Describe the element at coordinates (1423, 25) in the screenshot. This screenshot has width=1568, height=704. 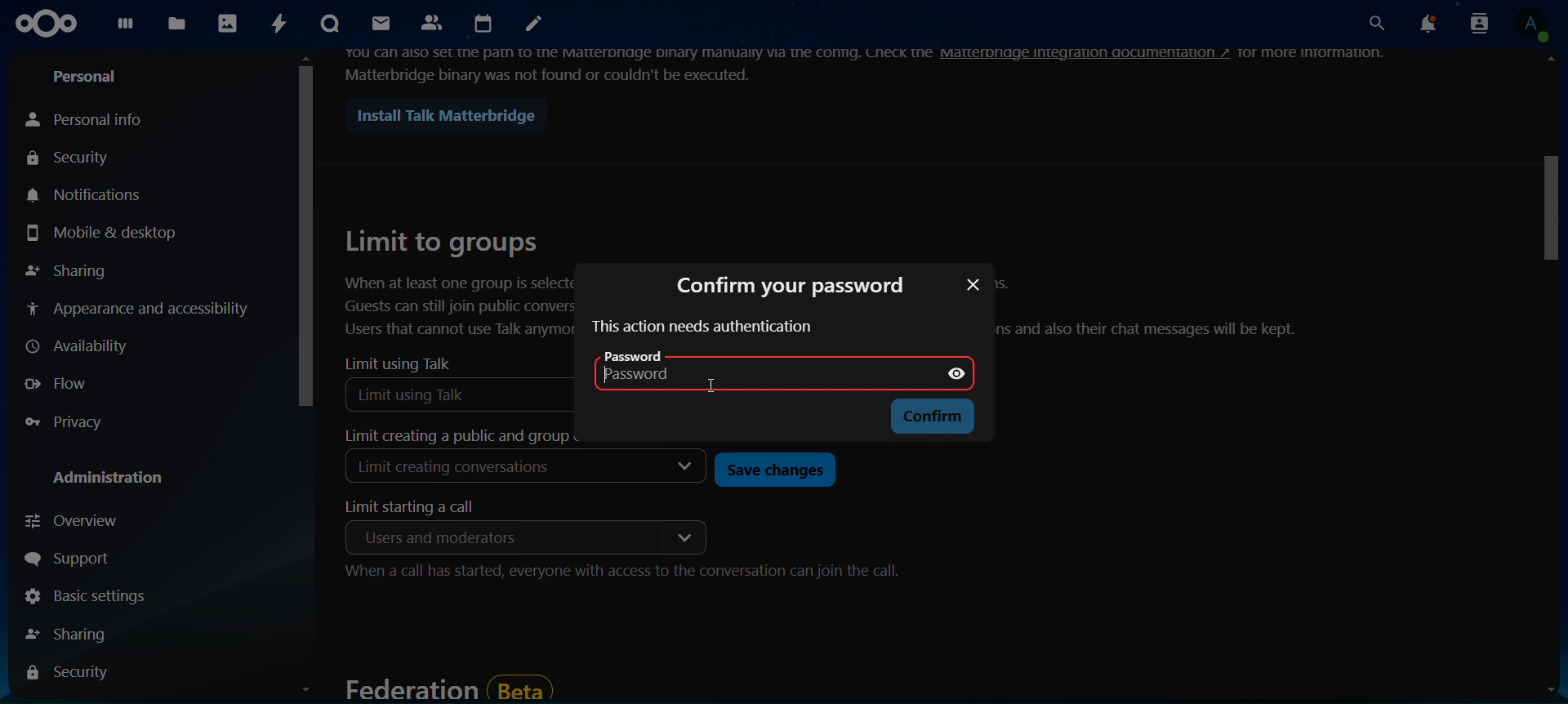
I see `notifications` at that location.